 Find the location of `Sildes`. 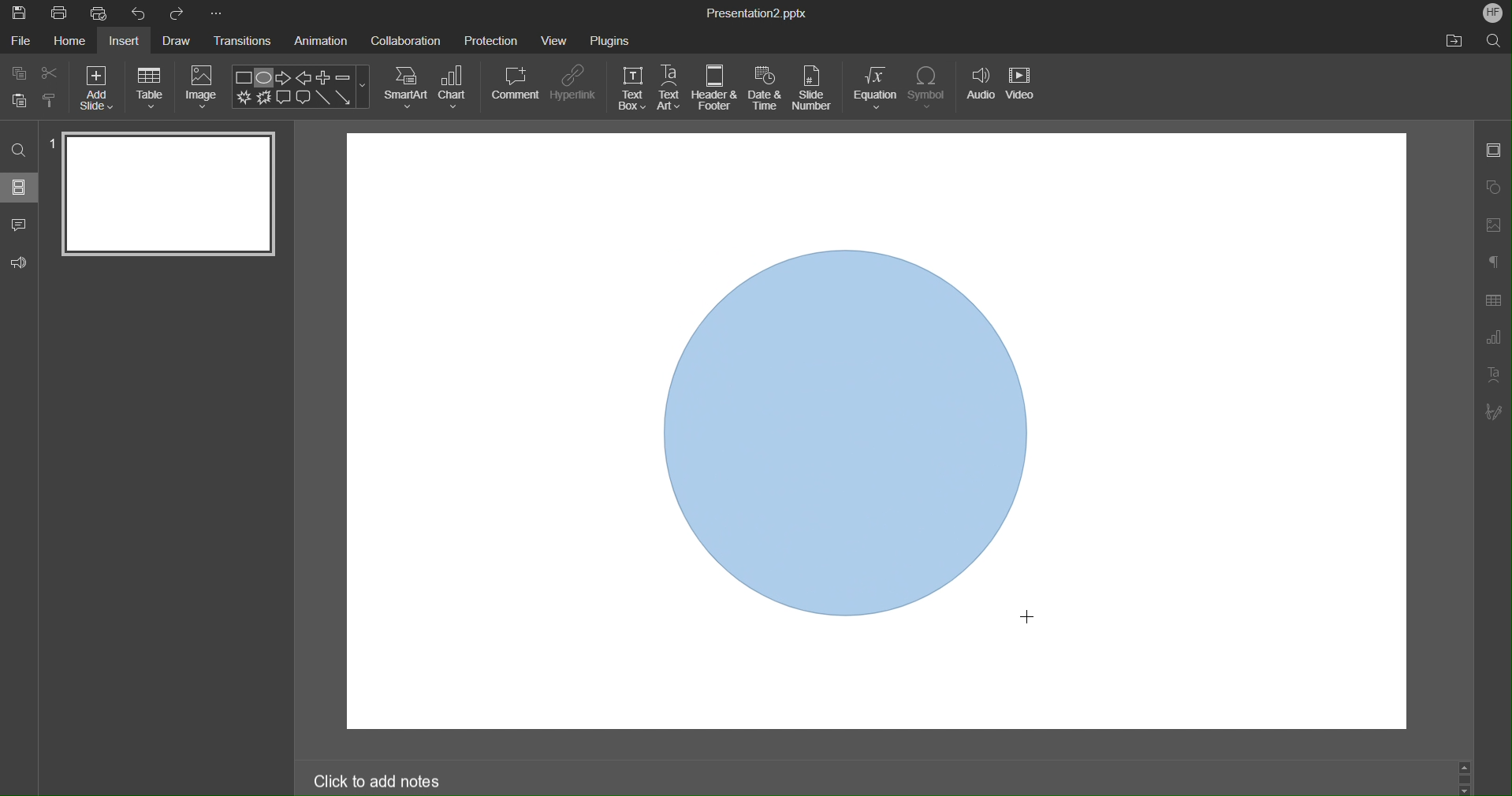

Sildes is located at coordinates (20, 187).